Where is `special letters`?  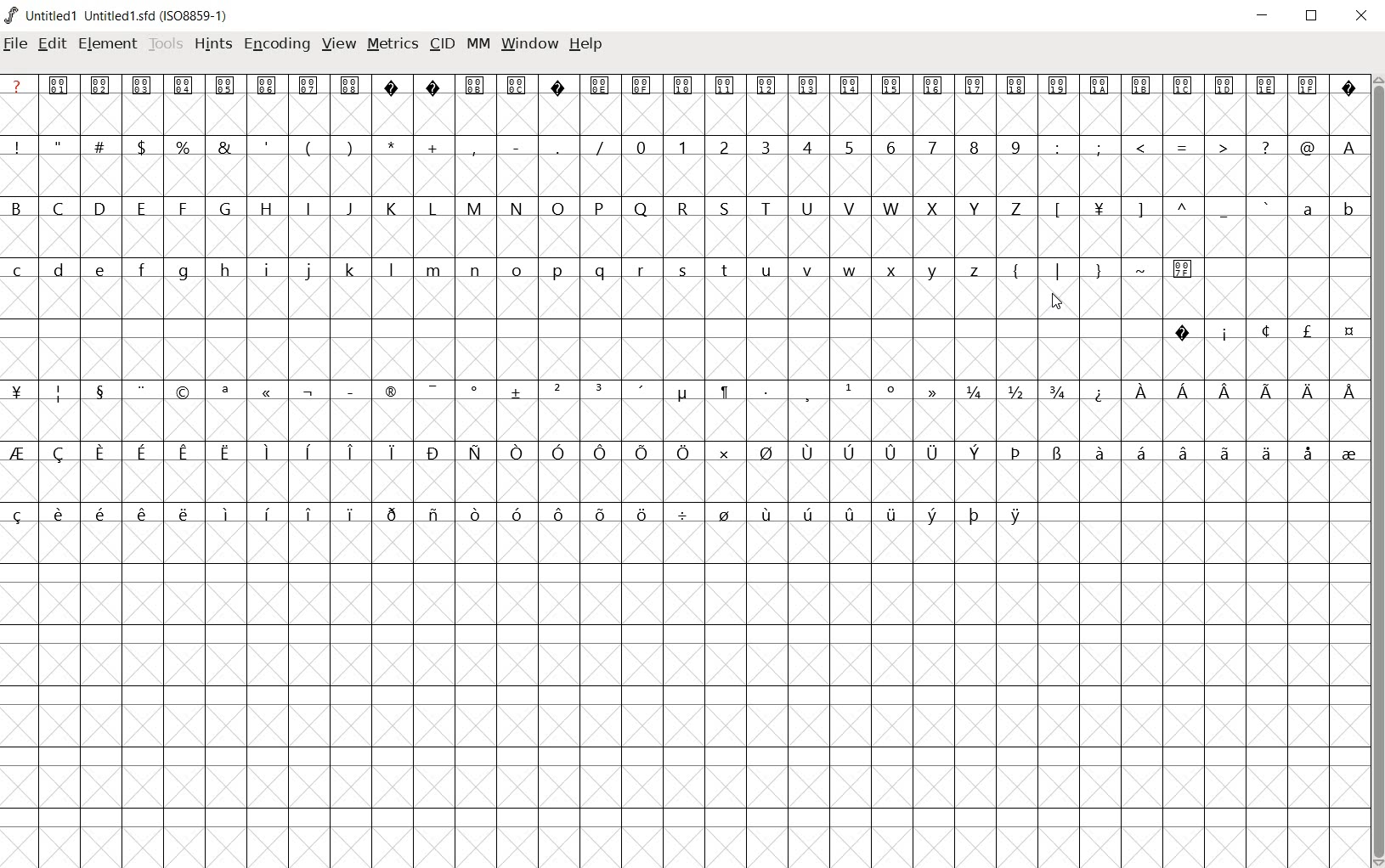
special letters is located at coordinates (682, 452).